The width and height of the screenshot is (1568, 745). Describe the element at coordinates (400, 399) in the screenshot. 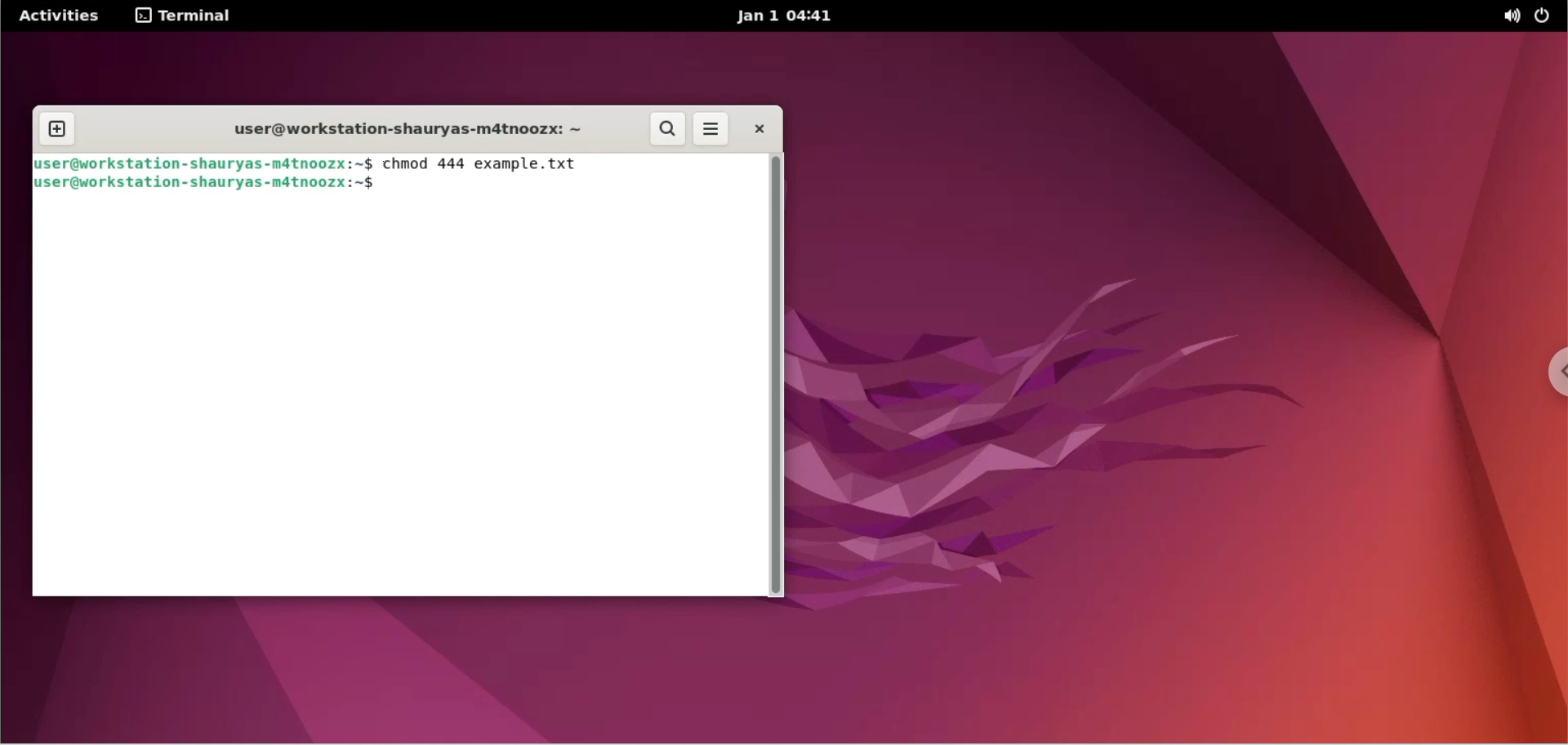

I see `command input box` at that location.